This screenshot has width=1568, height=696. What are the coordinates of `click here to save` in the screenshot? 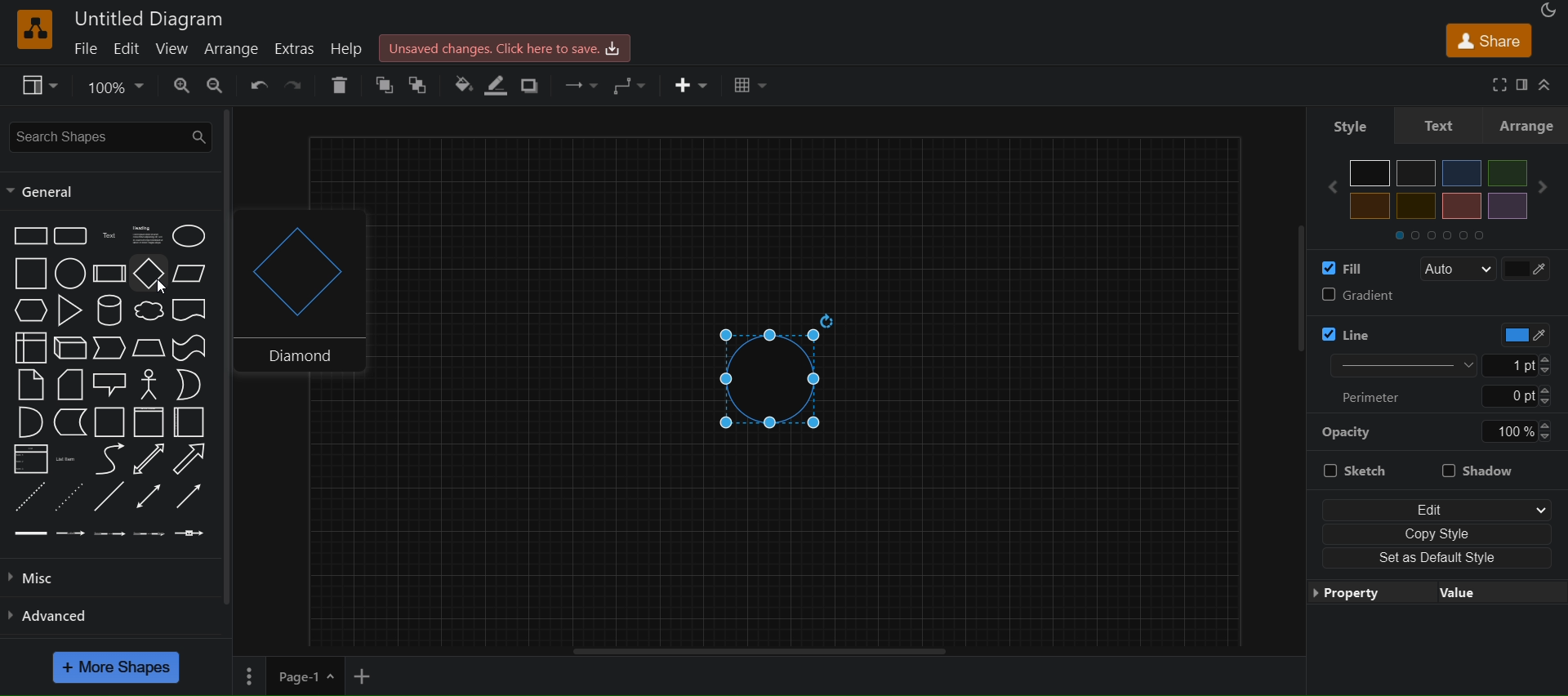 It's located at (508, 47).